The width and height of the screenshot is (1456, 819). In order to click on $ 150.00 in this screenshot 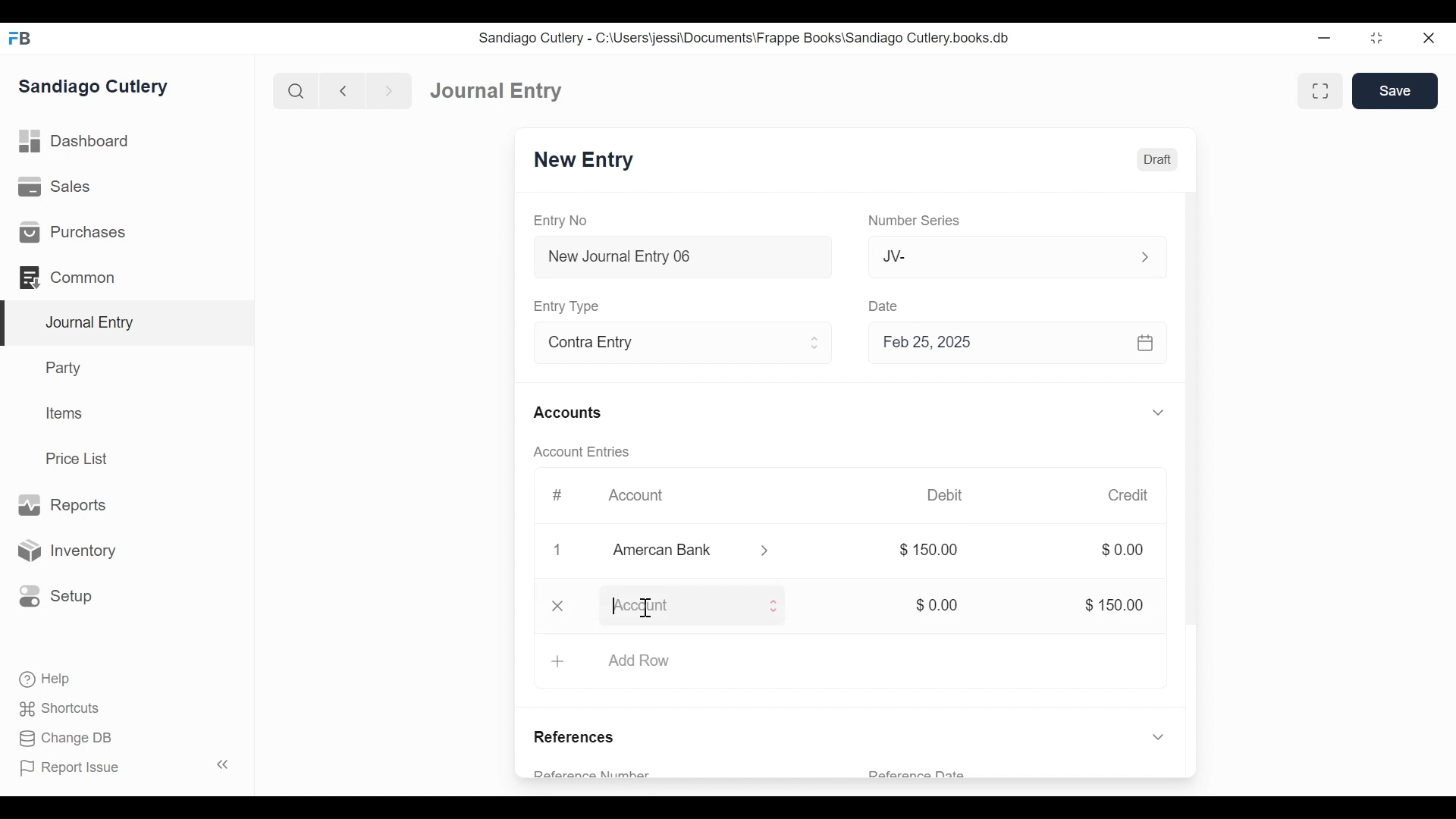, I will do `click(1113, 606)`.